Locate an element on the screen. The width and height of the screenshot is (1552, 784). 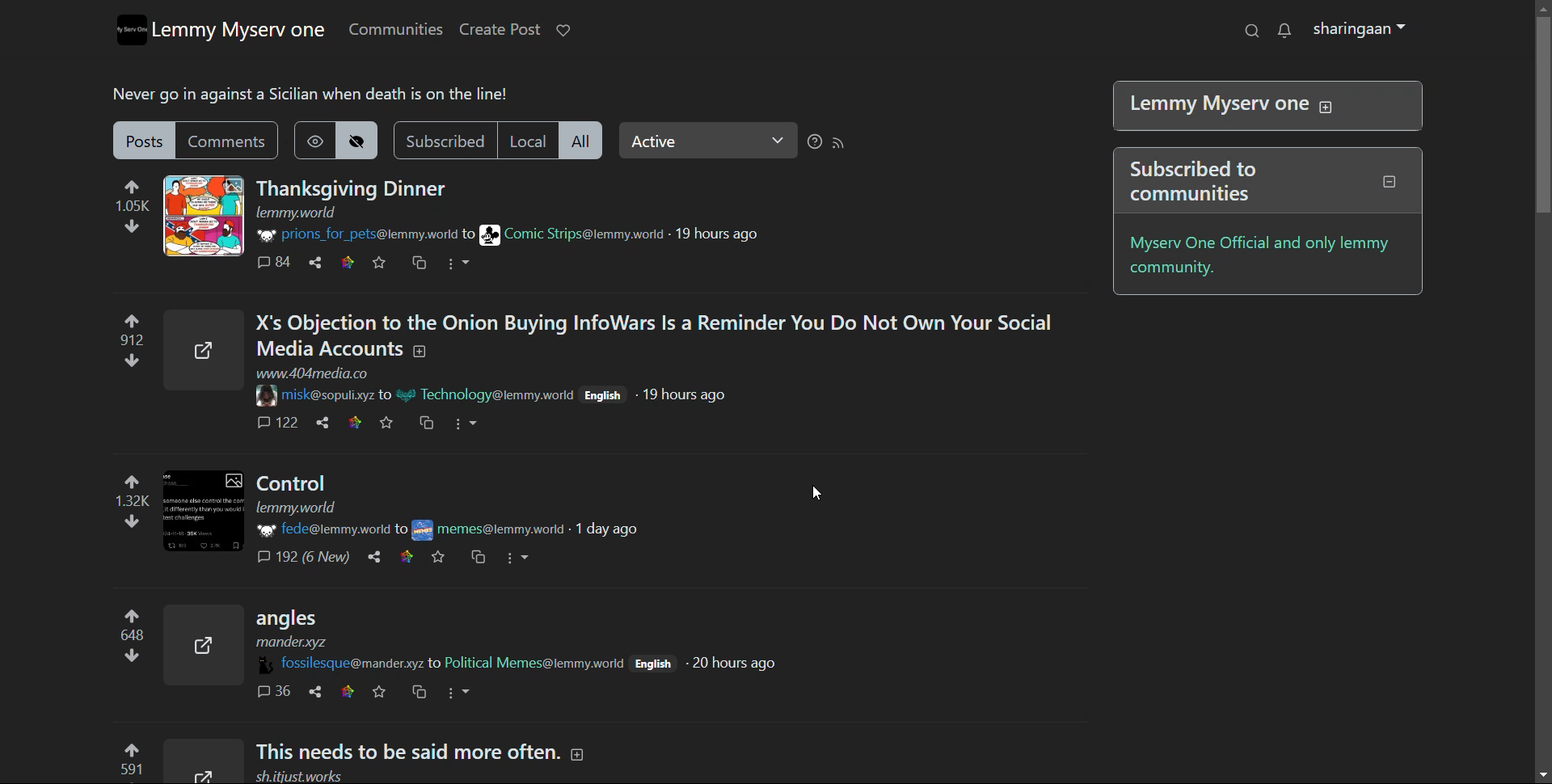
cross post is located at coordinates (420, 693).